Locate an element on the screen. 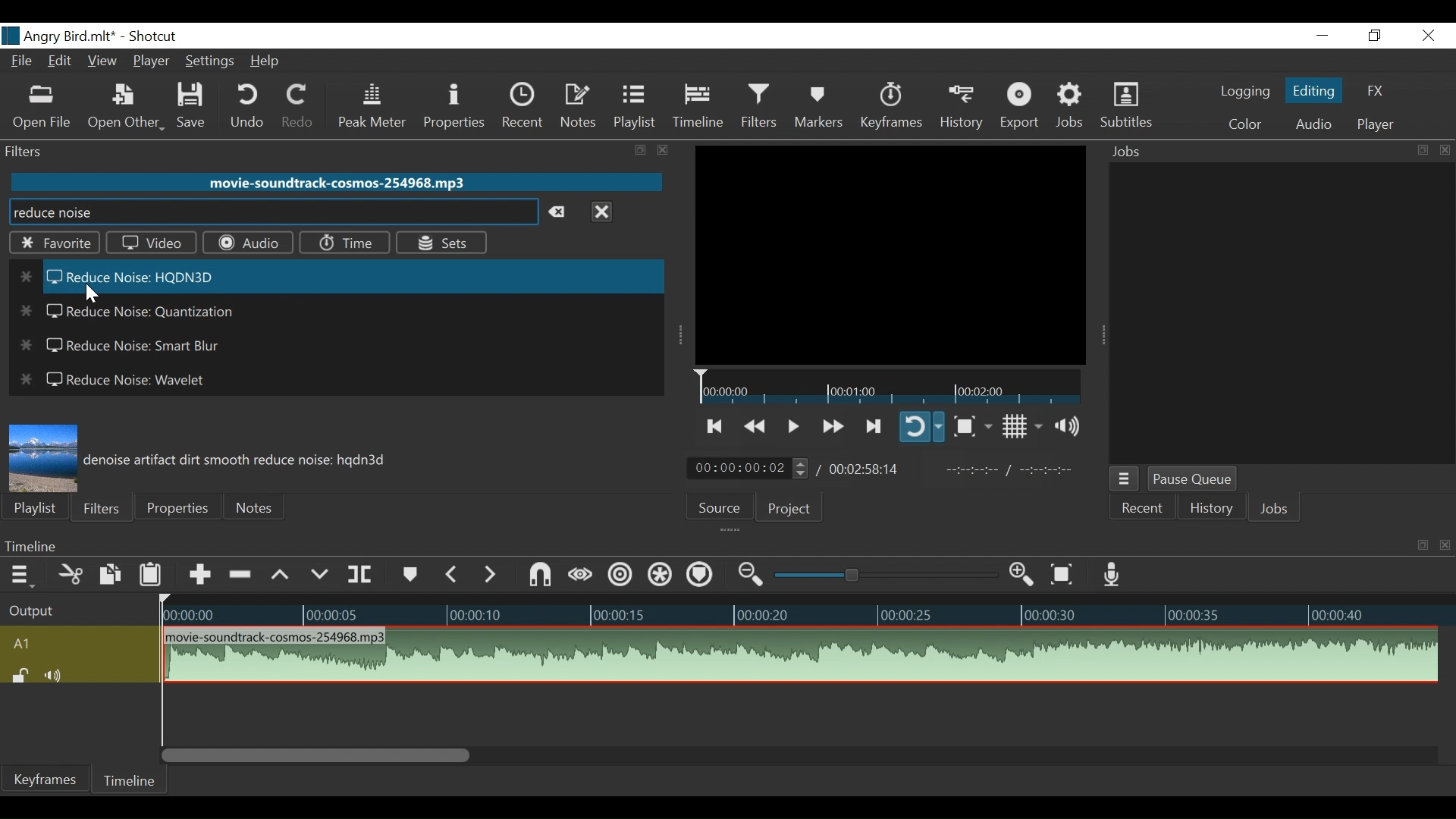 The width and height of the screenshot is (1456, 819). Player is located at coordinates (1373, 126).